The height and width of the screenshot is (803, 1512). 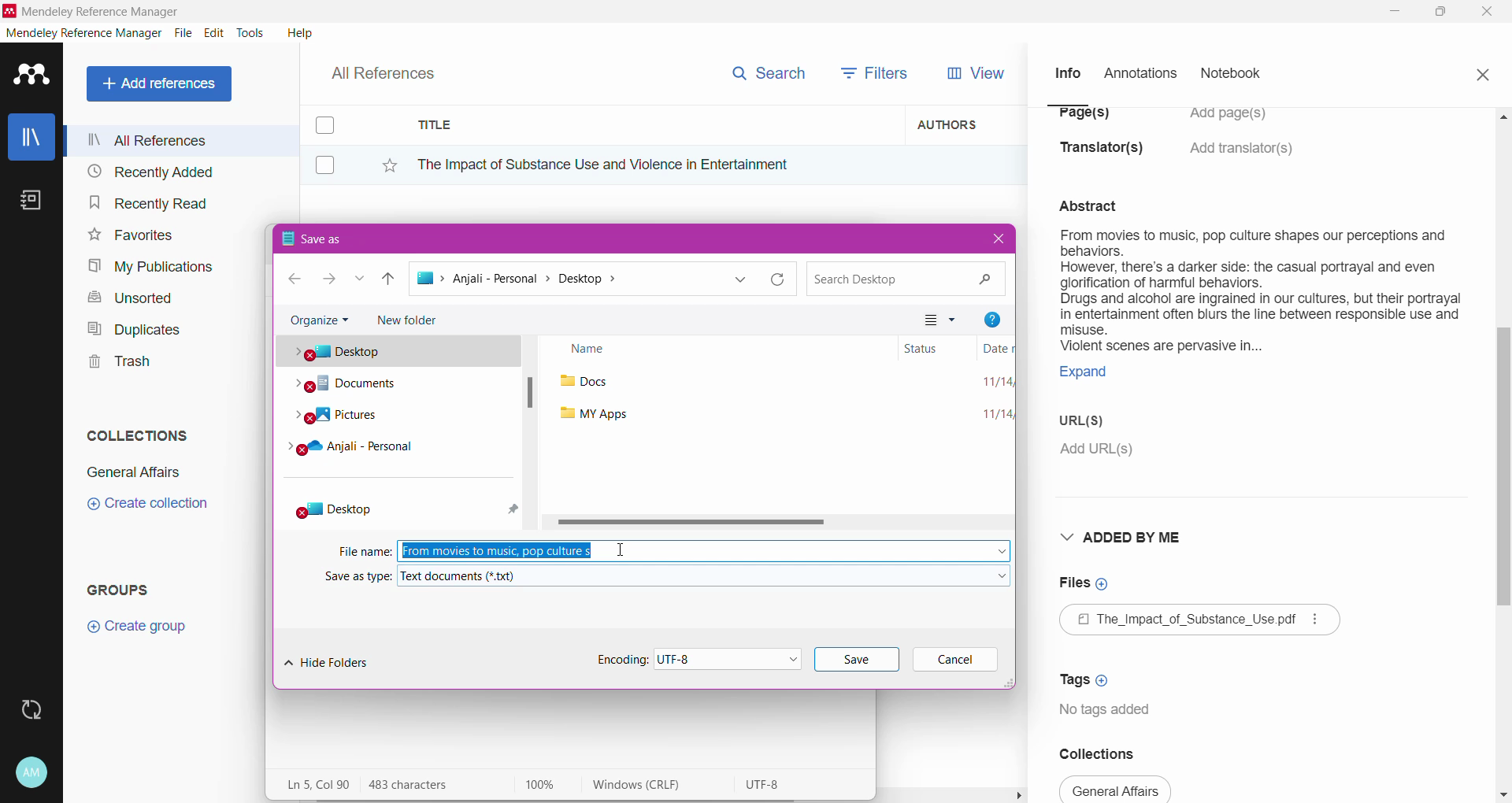 What do you see at coordinates (589, 383) in the screenshot?
I see `docs` at bounding box center [589, 383].